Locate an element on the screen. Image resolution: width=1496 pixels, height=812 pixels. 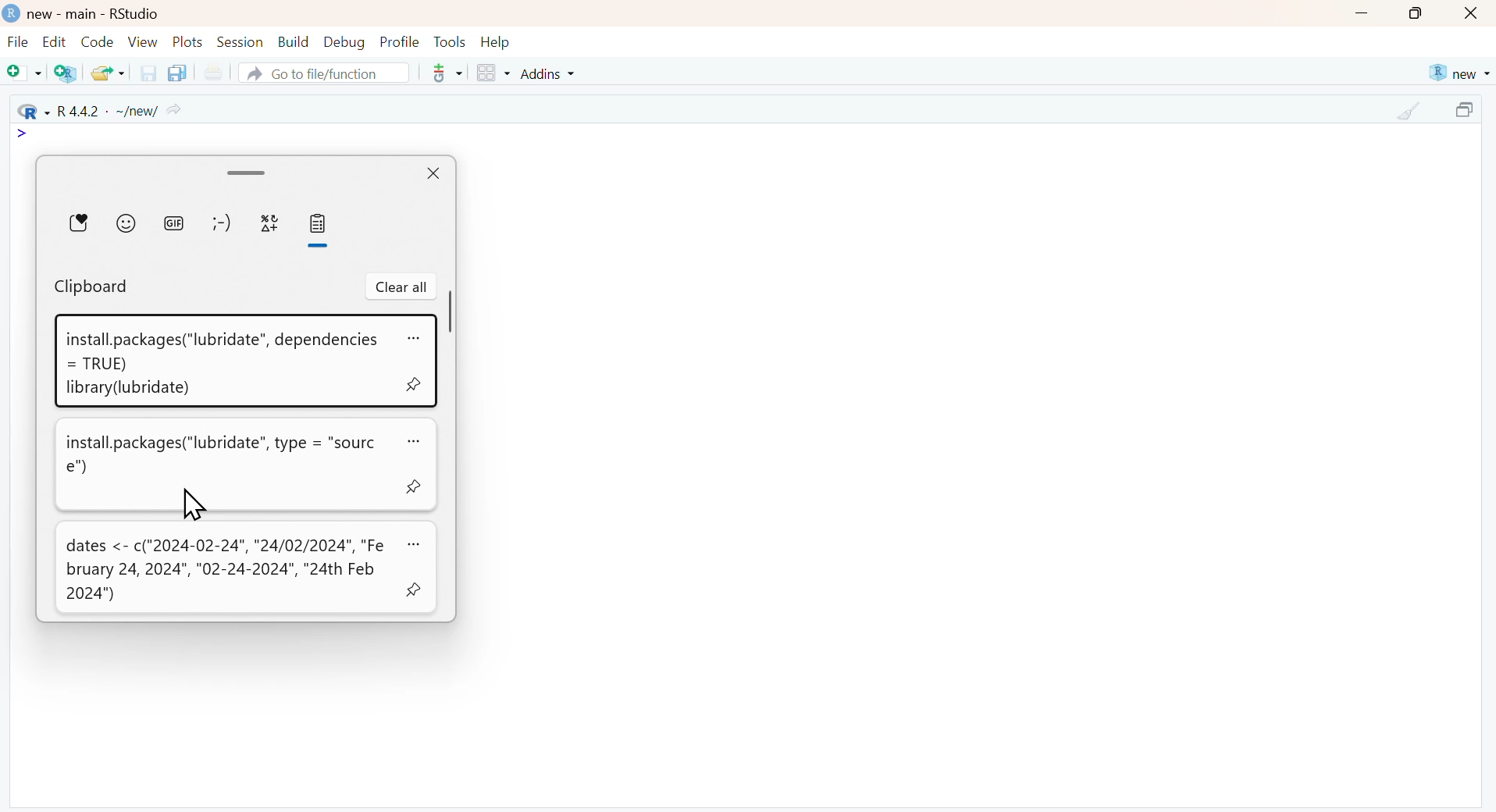
View is located at coordinates (143, 41).